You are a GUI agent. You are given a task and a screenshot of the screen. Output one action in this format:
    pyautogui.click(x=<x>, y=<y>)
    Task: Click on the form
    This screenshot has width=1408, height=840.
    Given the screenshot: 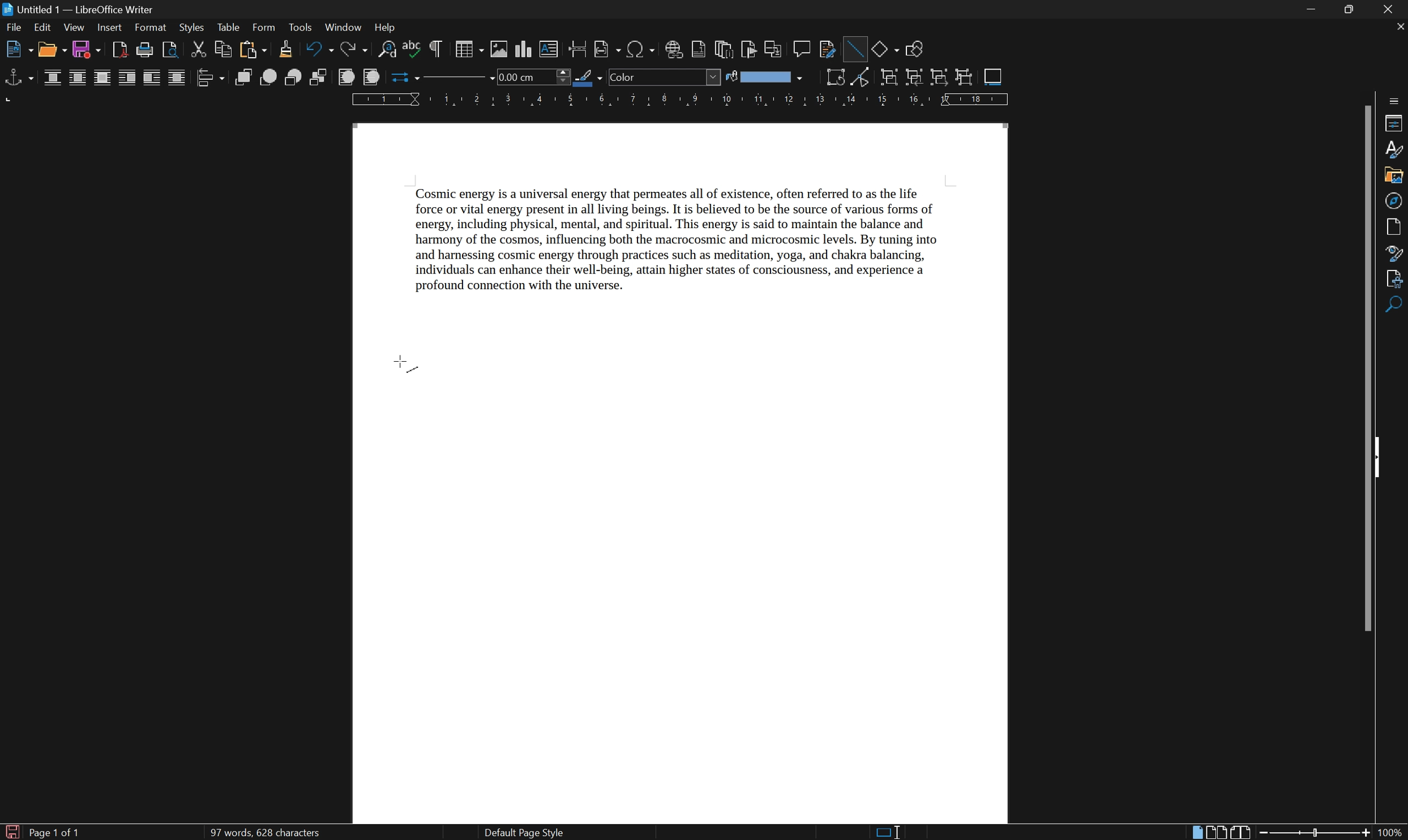 What is the action you would take?
    pyautogui.click(x=265, y=27)
    